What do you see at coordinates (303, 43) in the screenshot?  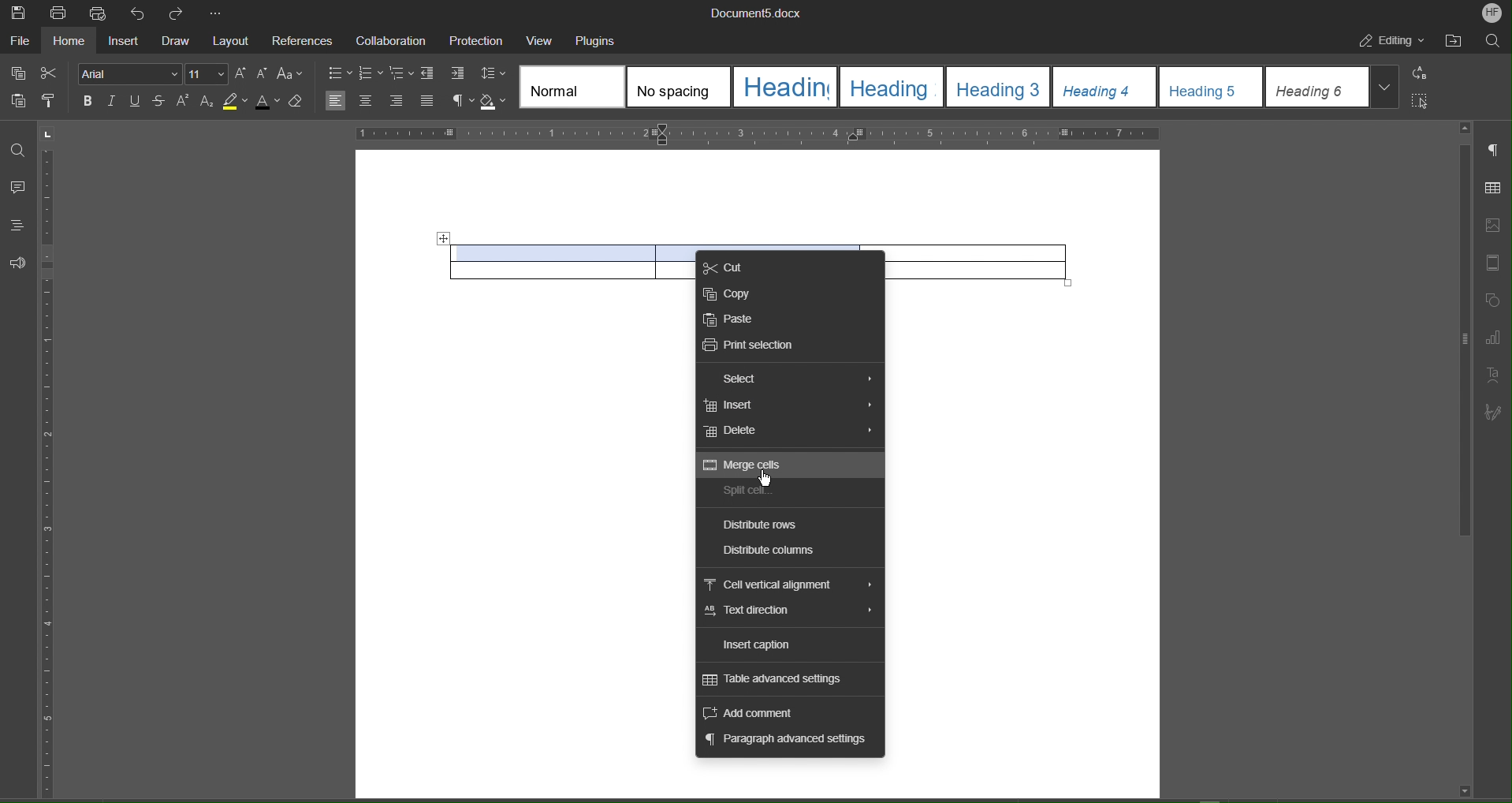 I see `References` at bounding box center [303, 43].